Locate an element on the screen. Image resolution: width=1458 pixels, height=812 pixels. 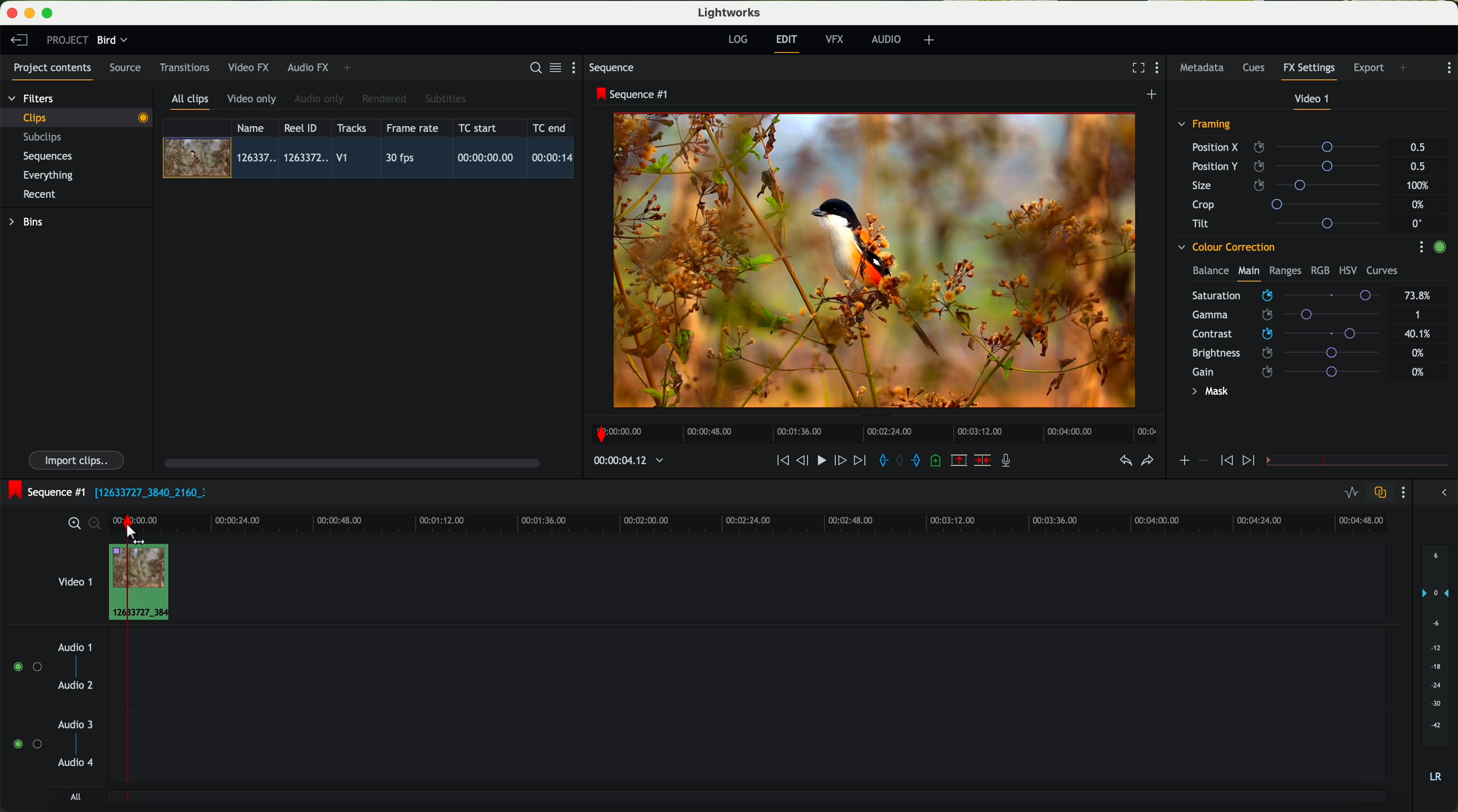
mask is located at coordinates (1208, 393).